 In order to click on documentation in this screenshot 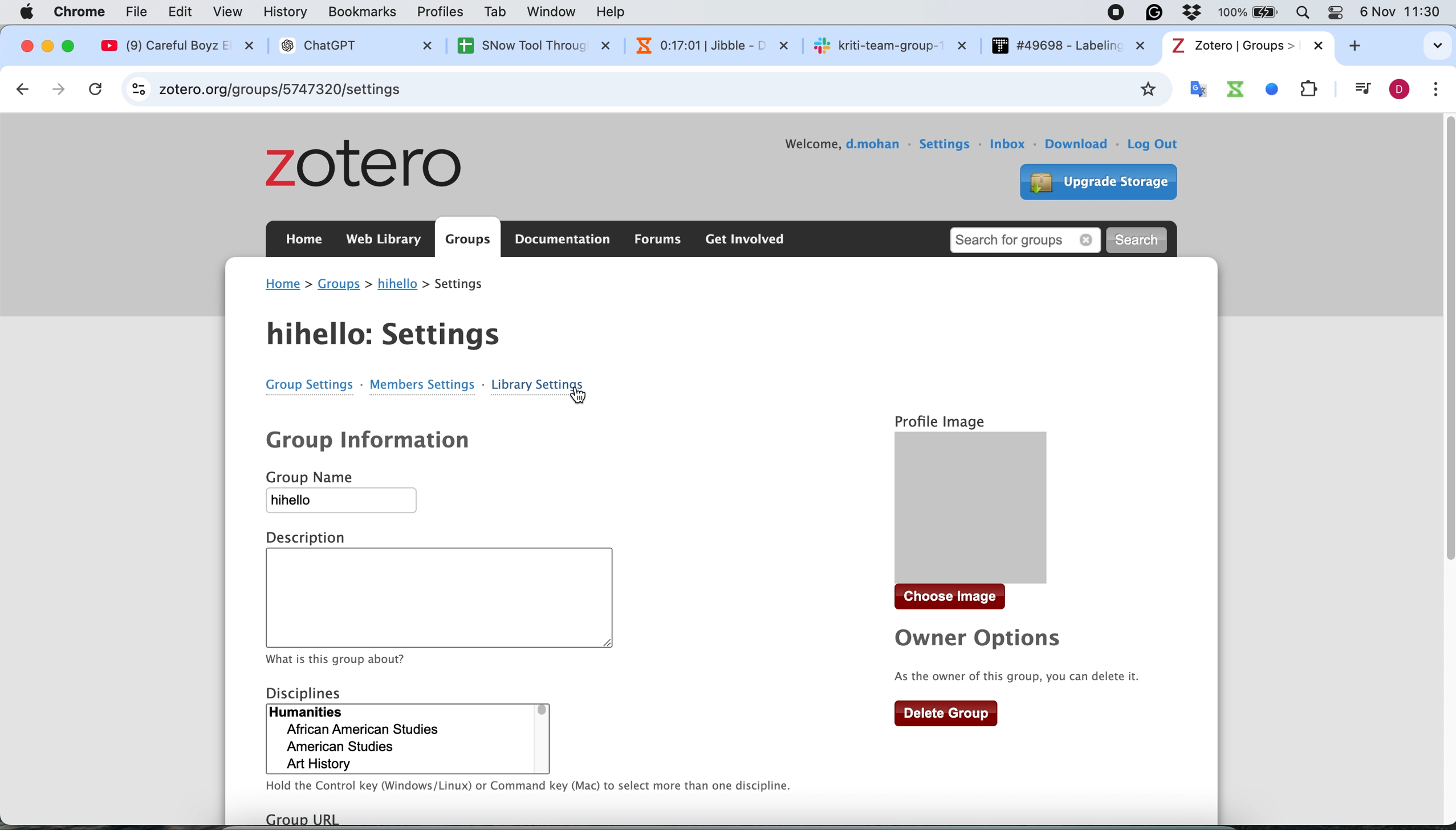, I will do `click(564, 240)`.